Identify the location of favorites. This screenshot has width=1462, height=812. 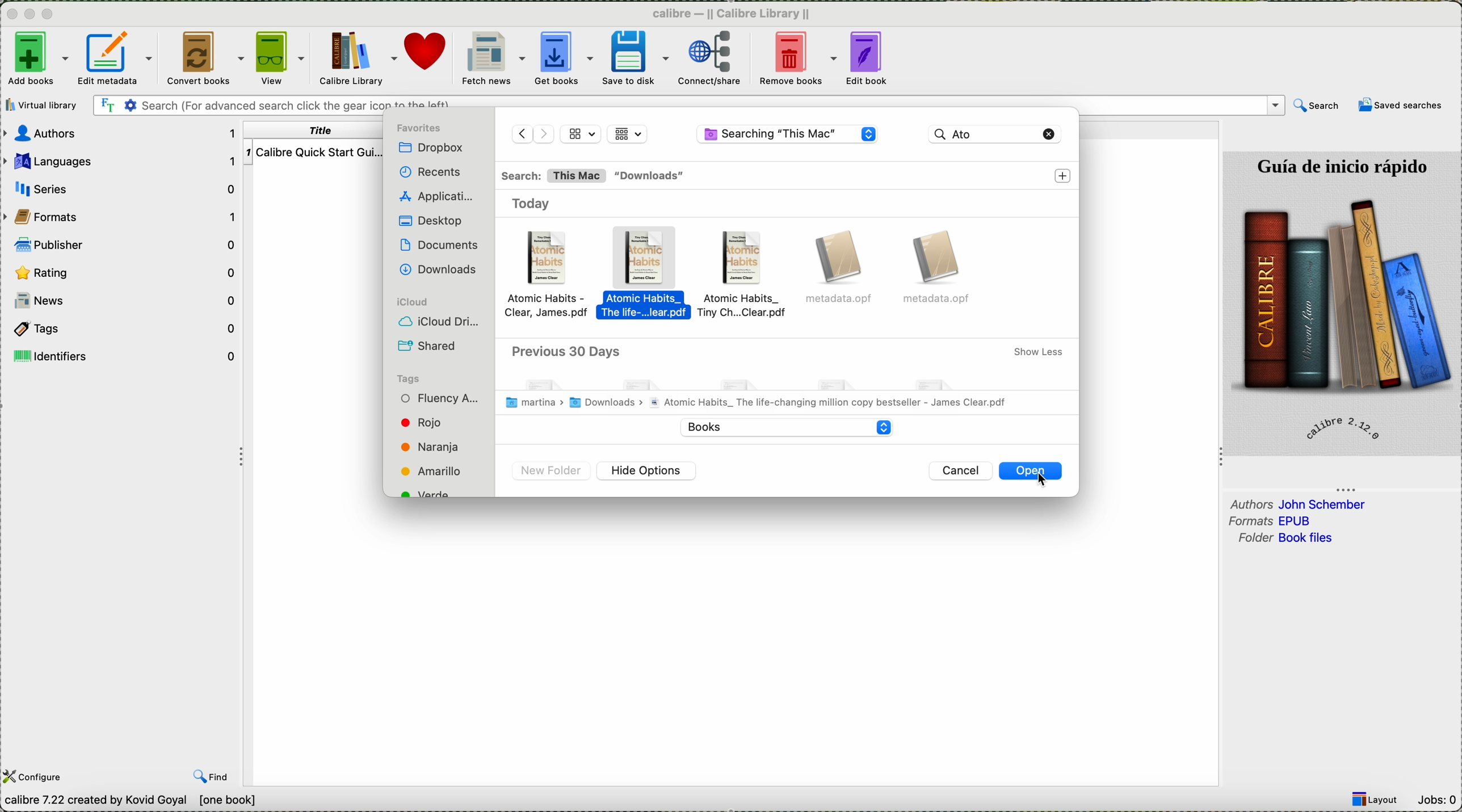
(422, 128).